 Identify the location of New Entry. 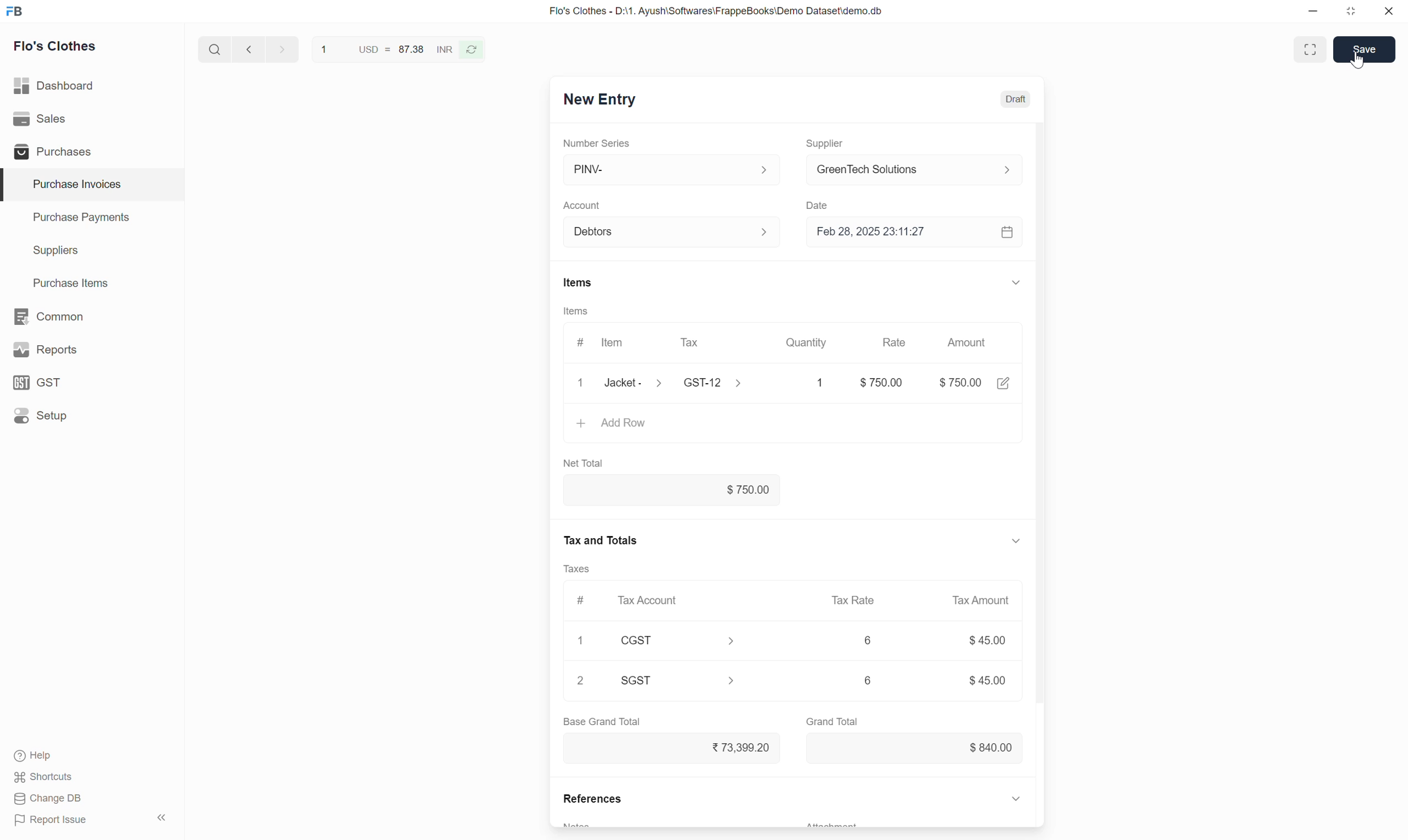
(600, 100).